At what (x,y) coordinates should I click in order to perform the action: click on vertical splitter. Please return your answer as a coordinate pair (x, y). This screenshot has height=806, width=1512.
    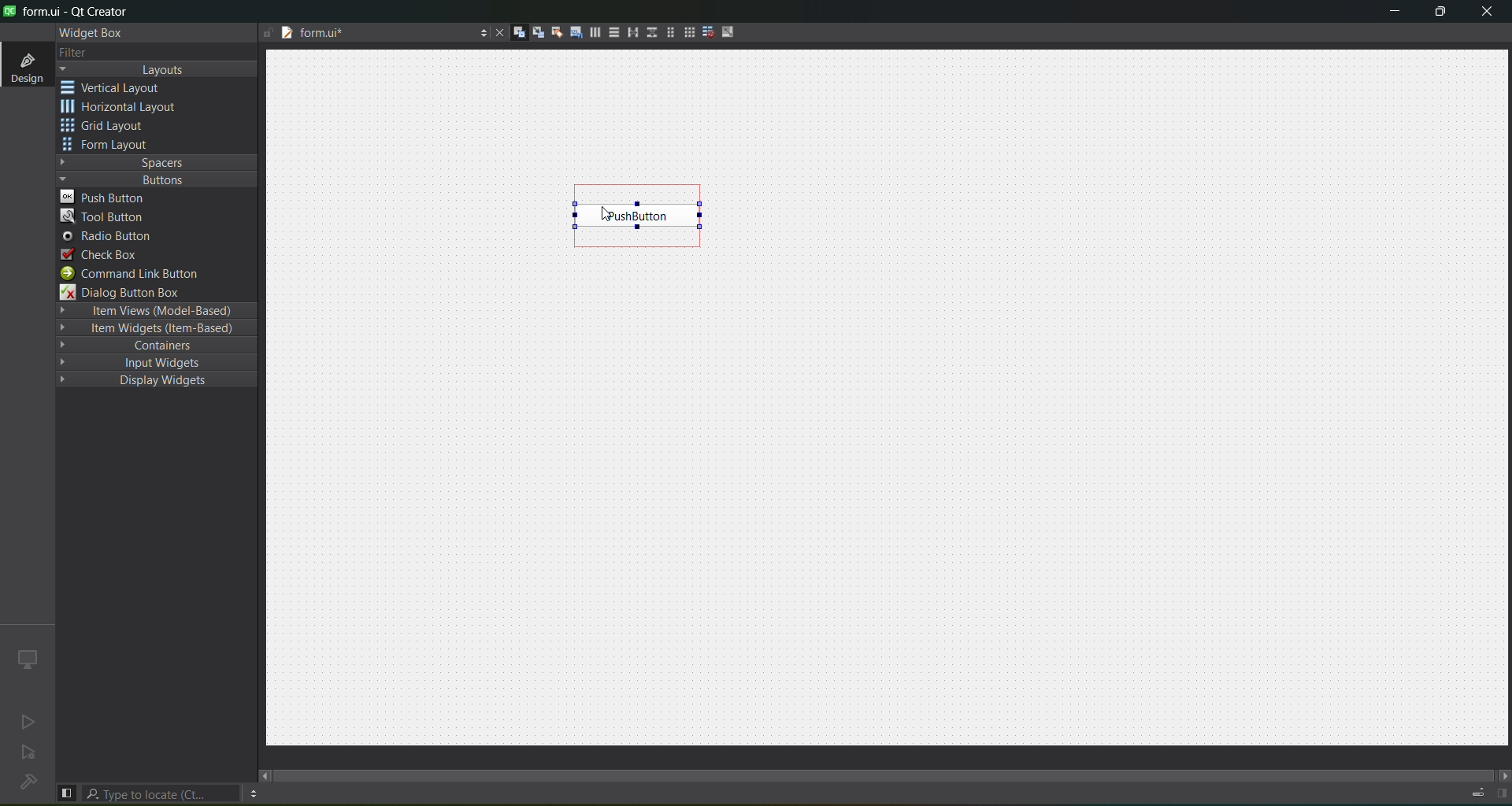
    Looking at the image, I should click on (650, 31).